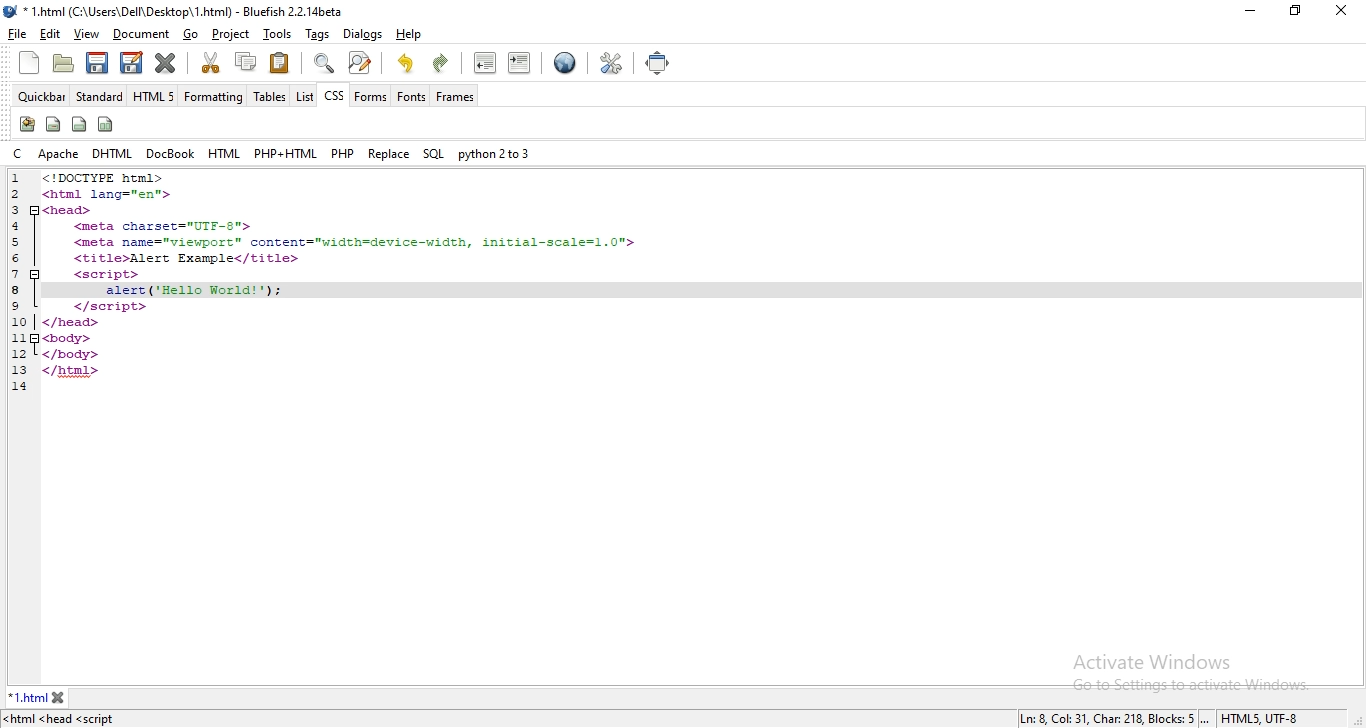 This screenshot has height=728, width=1366. Describe the element at coordinates (18, 258) in the screenshot. I see `6` at that location.